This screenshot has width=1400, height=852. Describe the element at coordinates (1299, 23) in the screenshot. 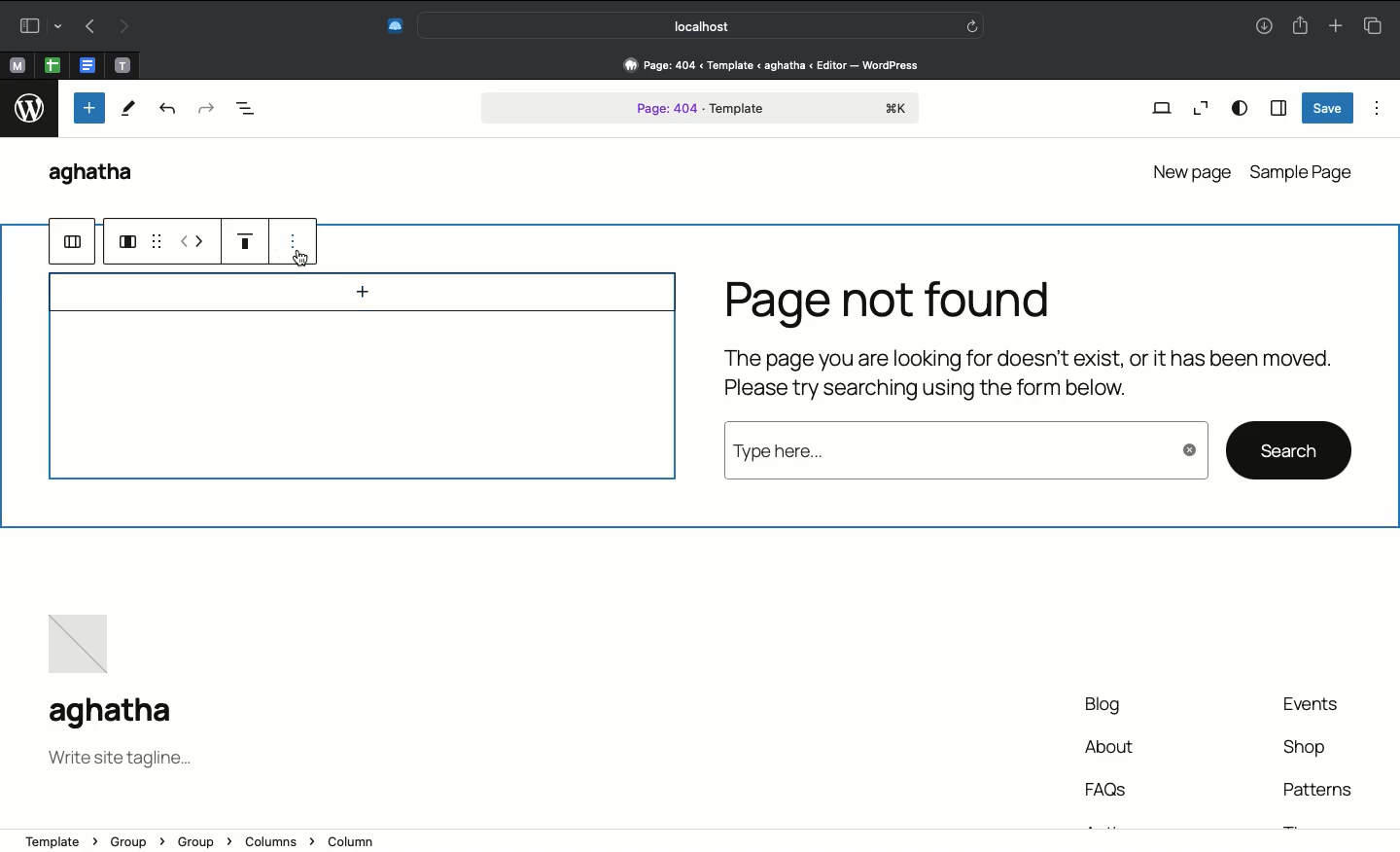

I see `Share` at that location.